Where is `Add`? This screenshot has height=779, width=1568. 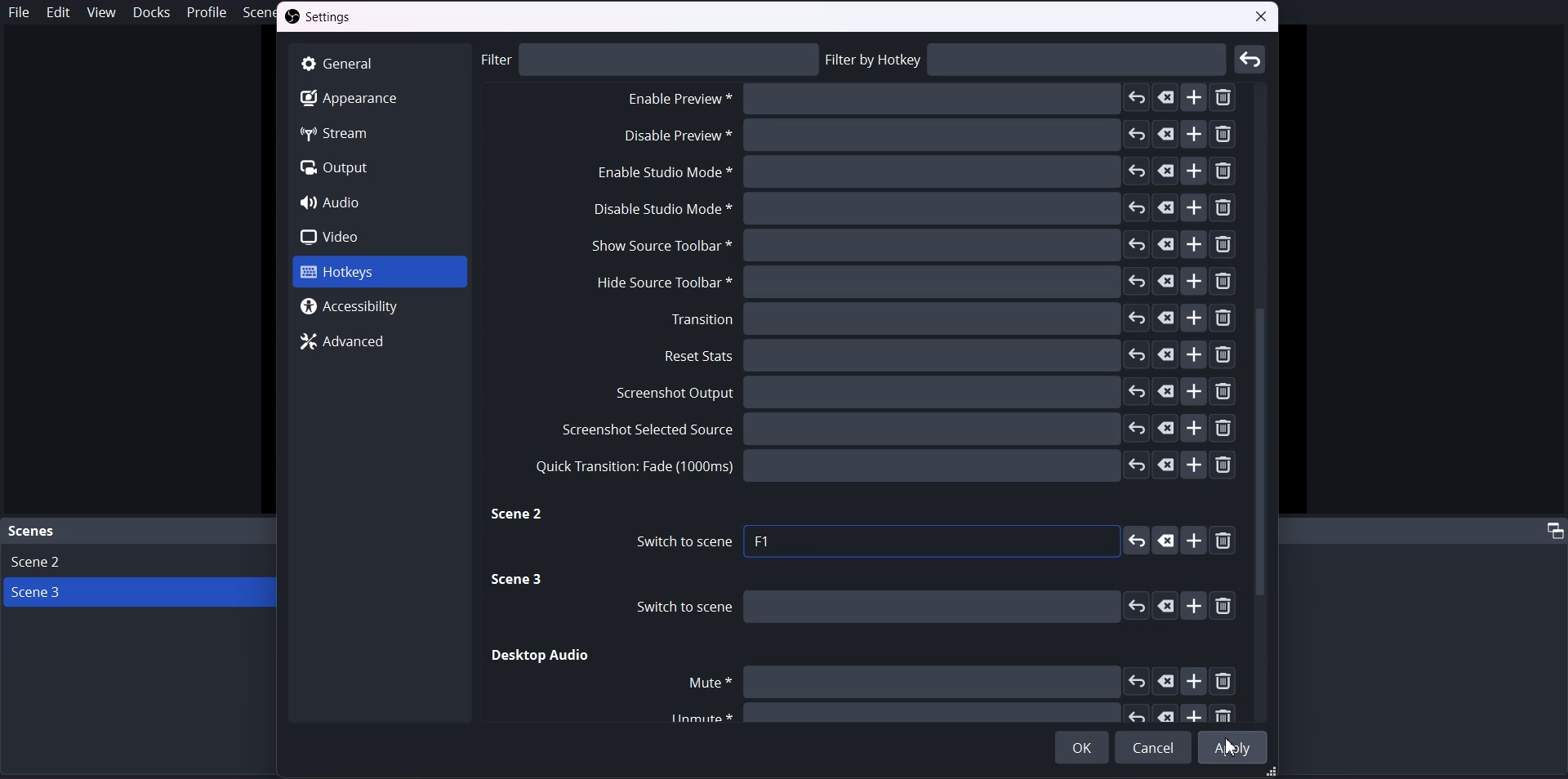
Add is located at coordinates (1196, 541).